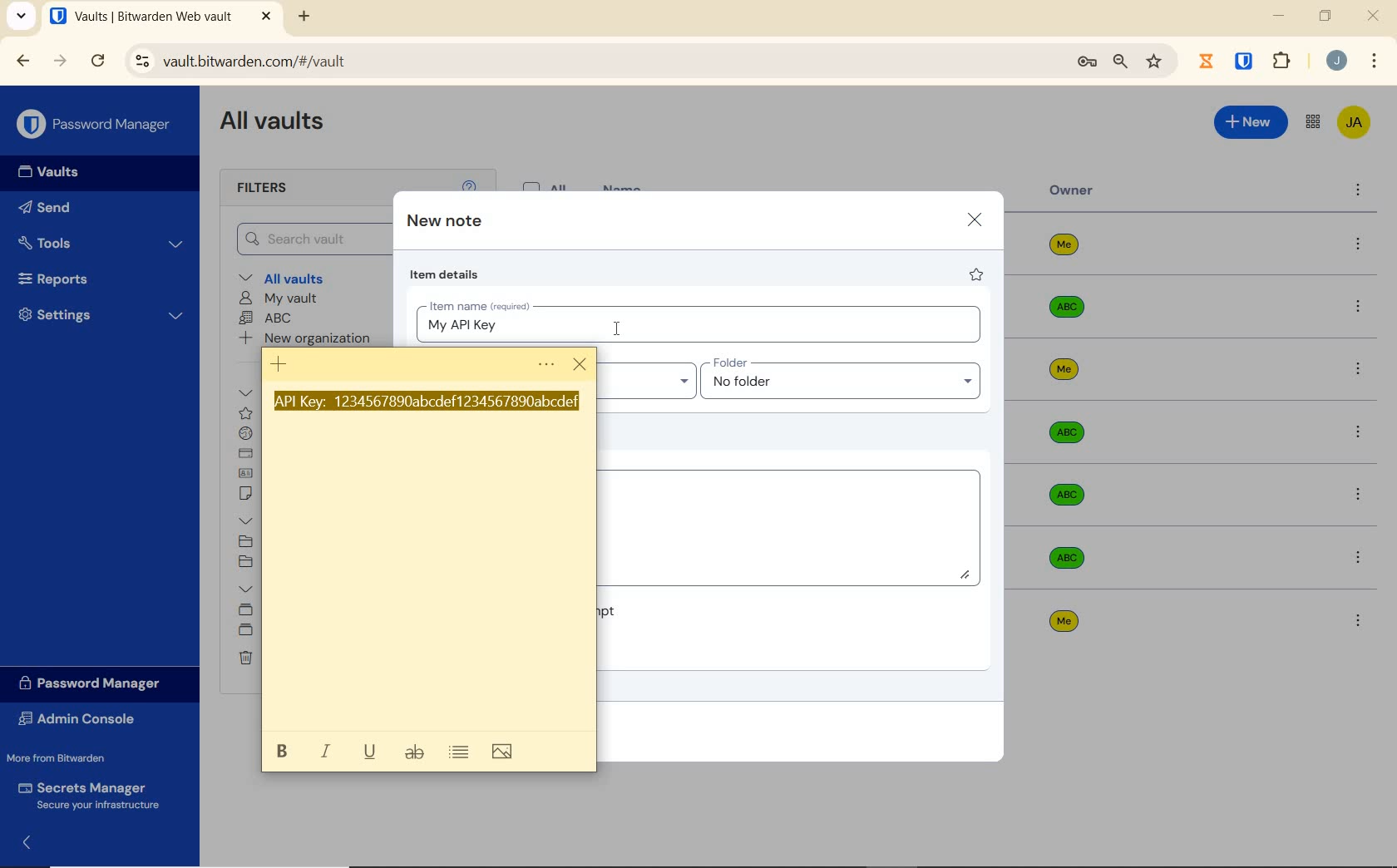 This screenshot has width=1397, height=868. I want to click on more options, so click(1358, 192).